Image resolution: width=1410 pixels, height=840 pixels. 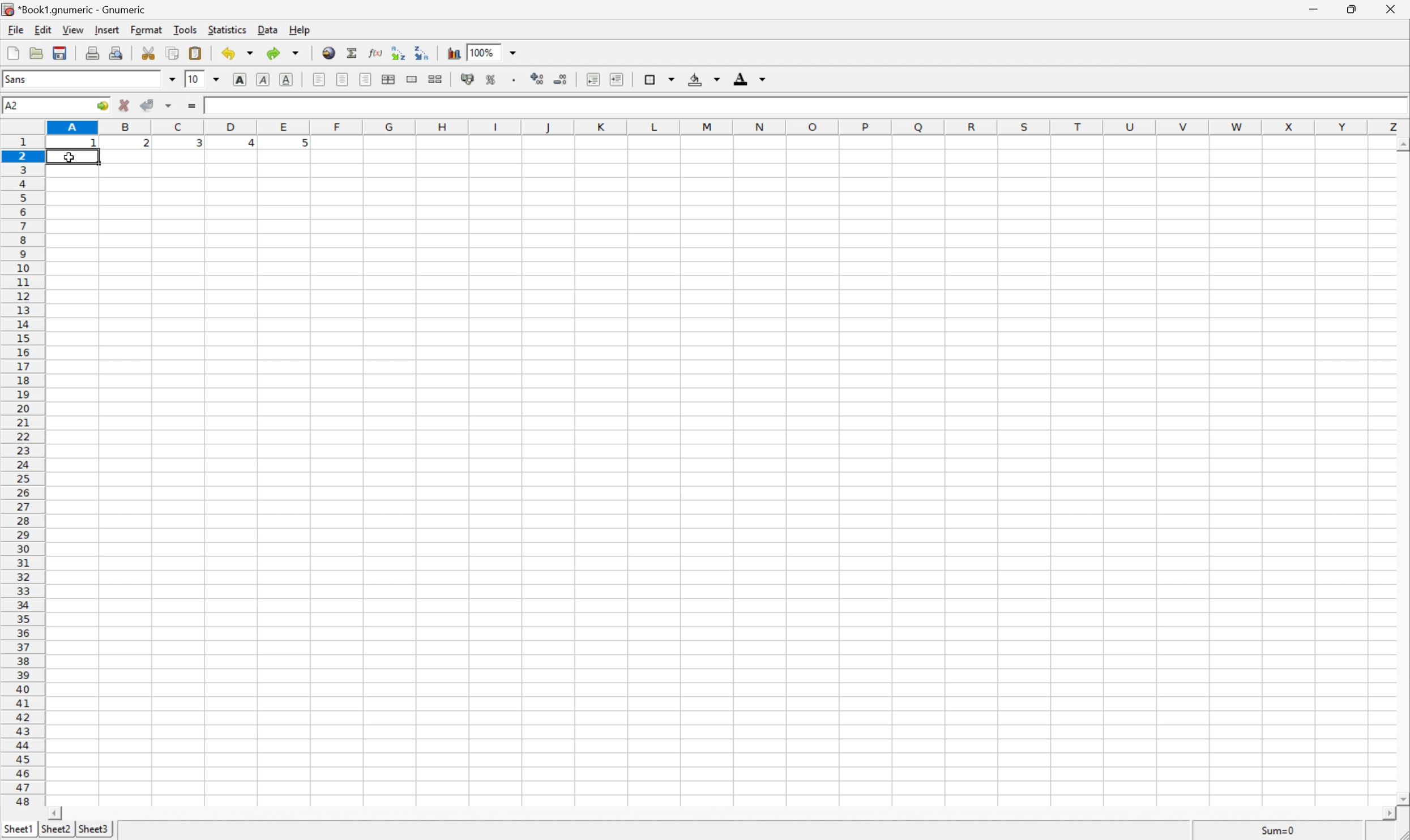 What do you see at coordinates (72, 29) in the screenshot?
I see `view` at bounding box center [72, 29].